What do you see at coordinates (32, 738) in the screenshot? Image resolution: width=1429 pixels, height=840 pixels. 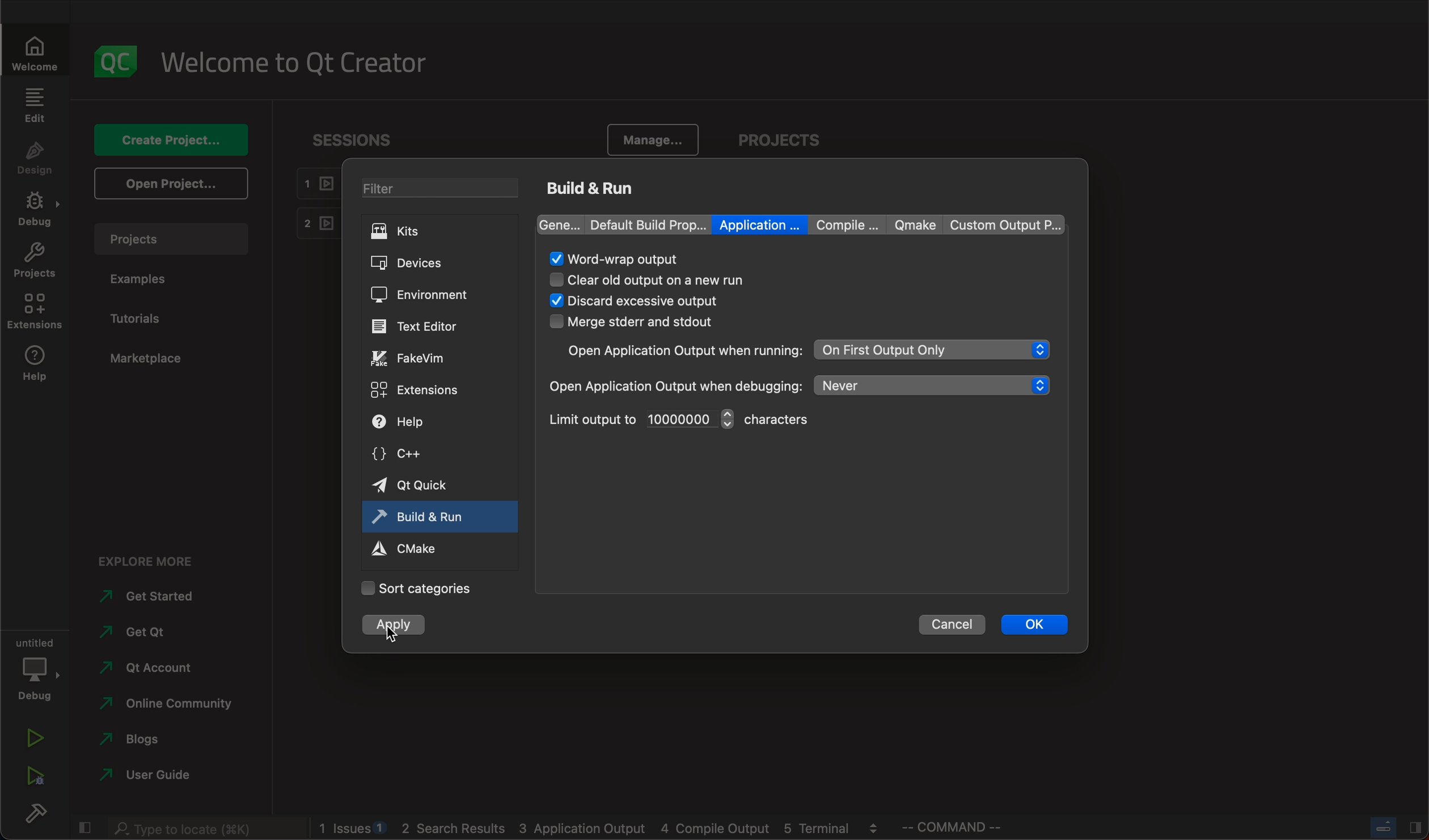 I see `run` at bounding box center [32, 738].